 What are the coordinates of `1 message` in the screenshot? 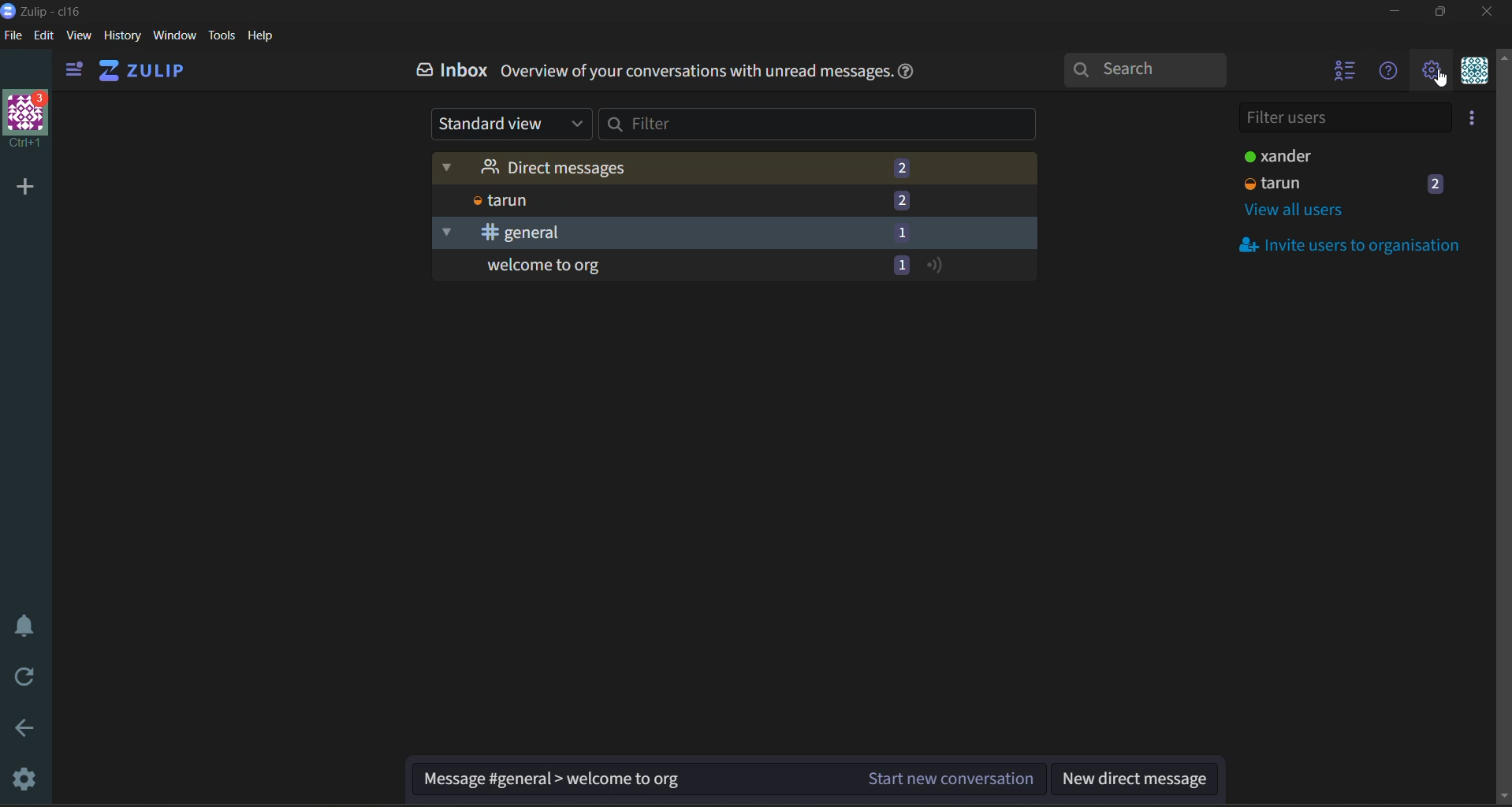 It's located at (901, 231).